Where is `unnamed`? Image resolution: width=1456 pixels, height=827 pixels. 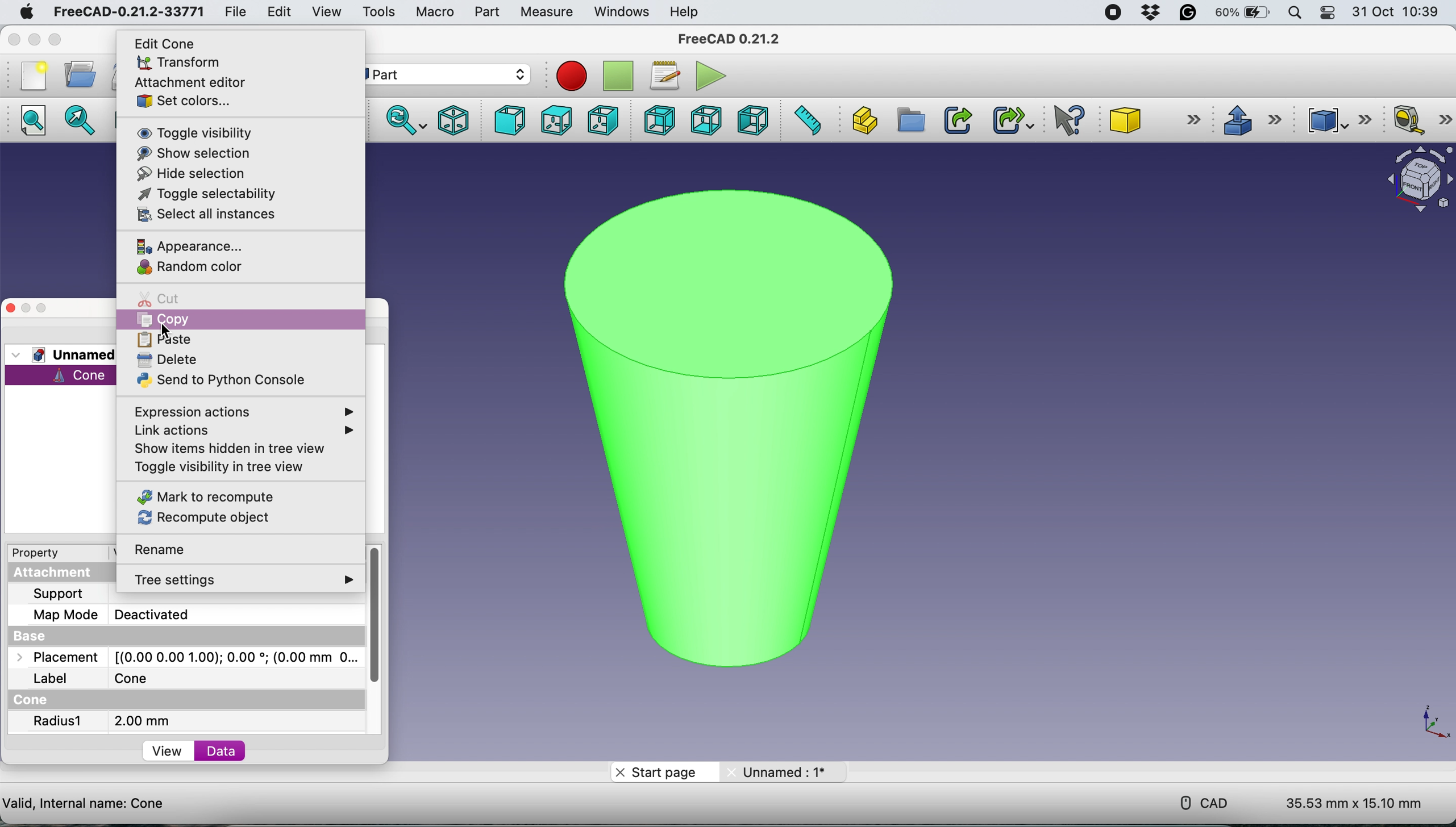
unnamed is located at coordinates (68, 354).